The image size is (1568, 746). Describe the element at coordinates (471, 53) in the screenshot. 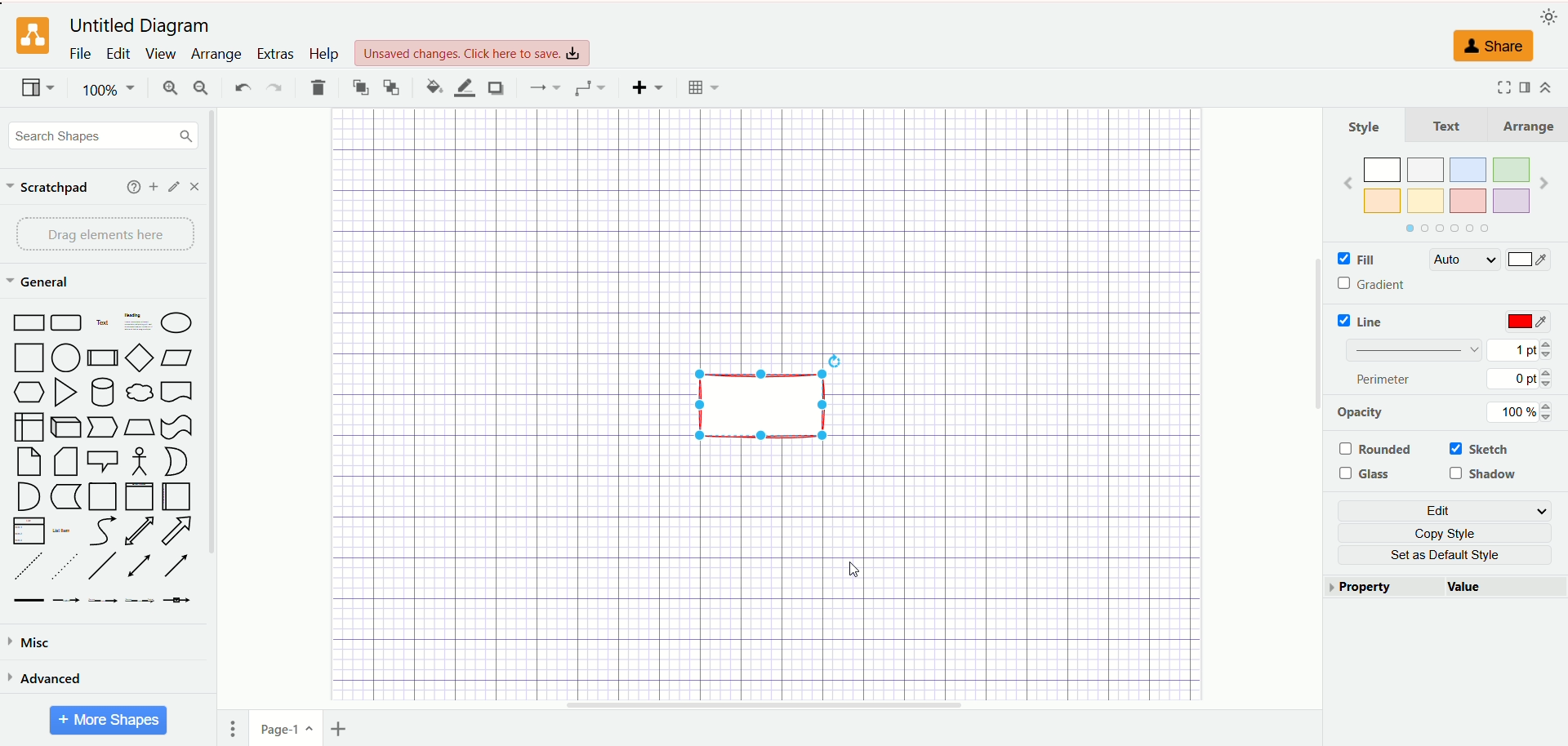

I see `Unsaved changes, click here to save` at that location.